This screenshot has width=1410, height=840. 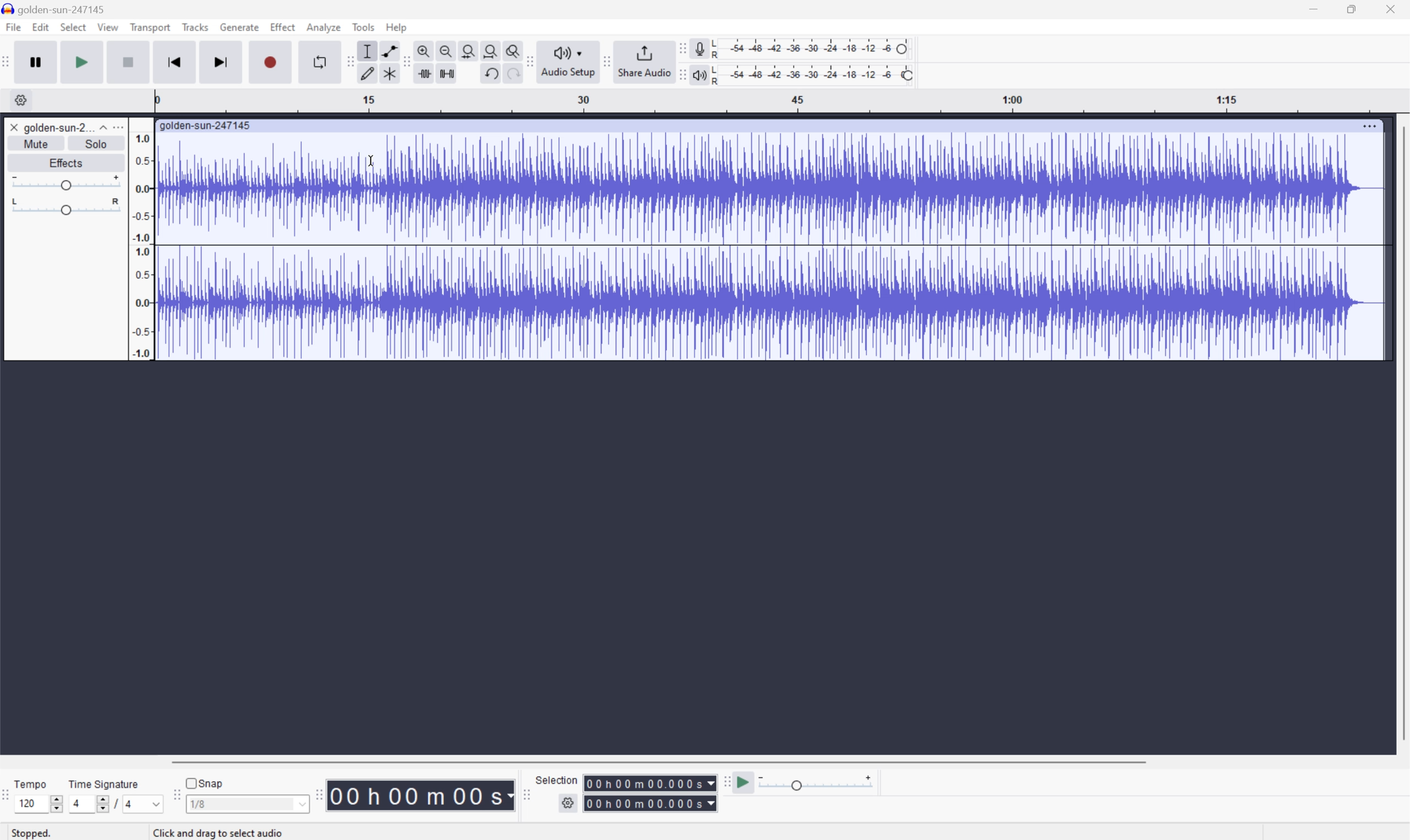 What do you see at coordinates (37, 834) in the screenshot?
I see `Stopped` at bounding box center [37, 834].